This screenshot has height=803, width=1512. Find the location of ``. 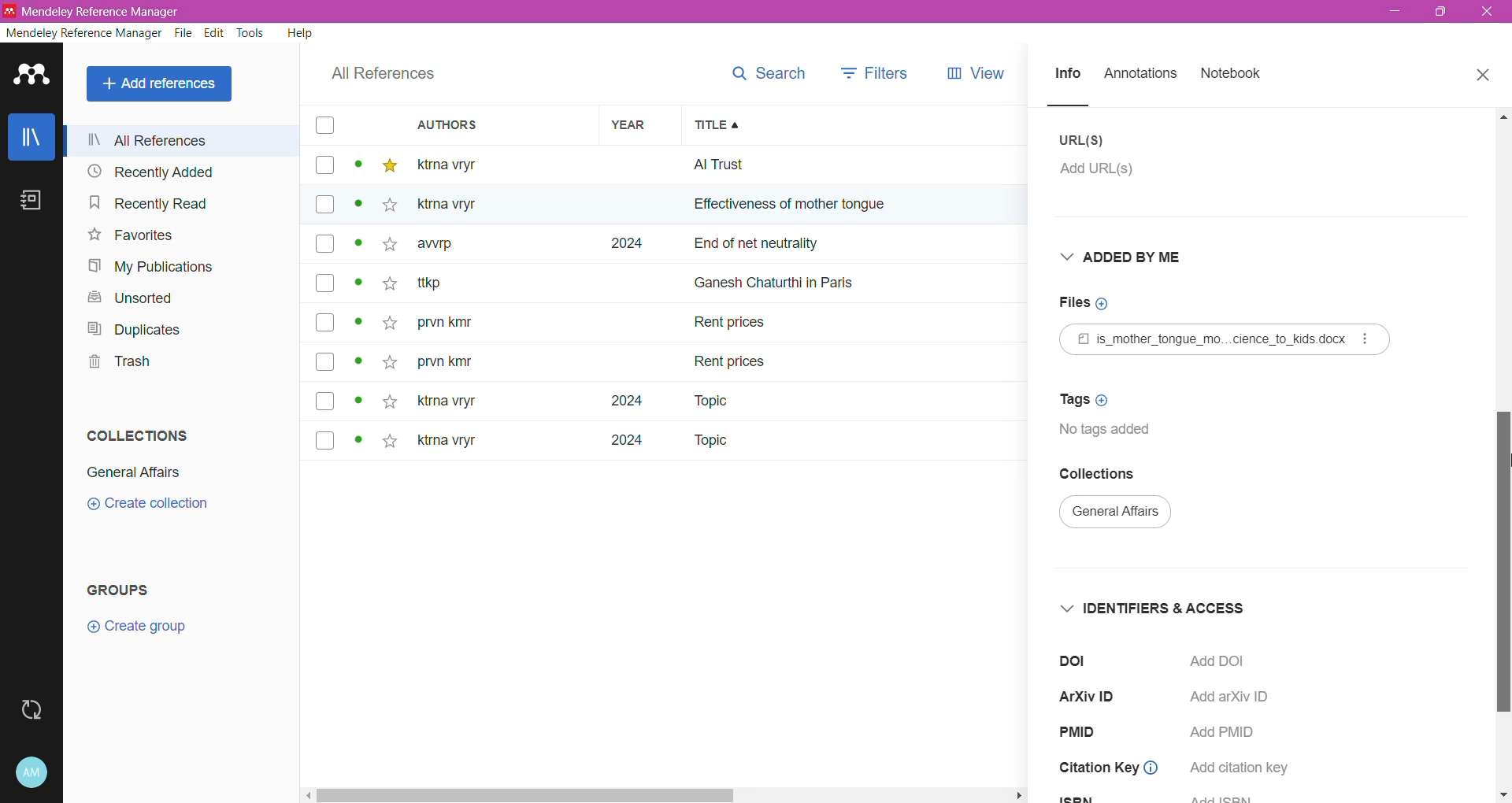

 is located at coordinates (458, 205).